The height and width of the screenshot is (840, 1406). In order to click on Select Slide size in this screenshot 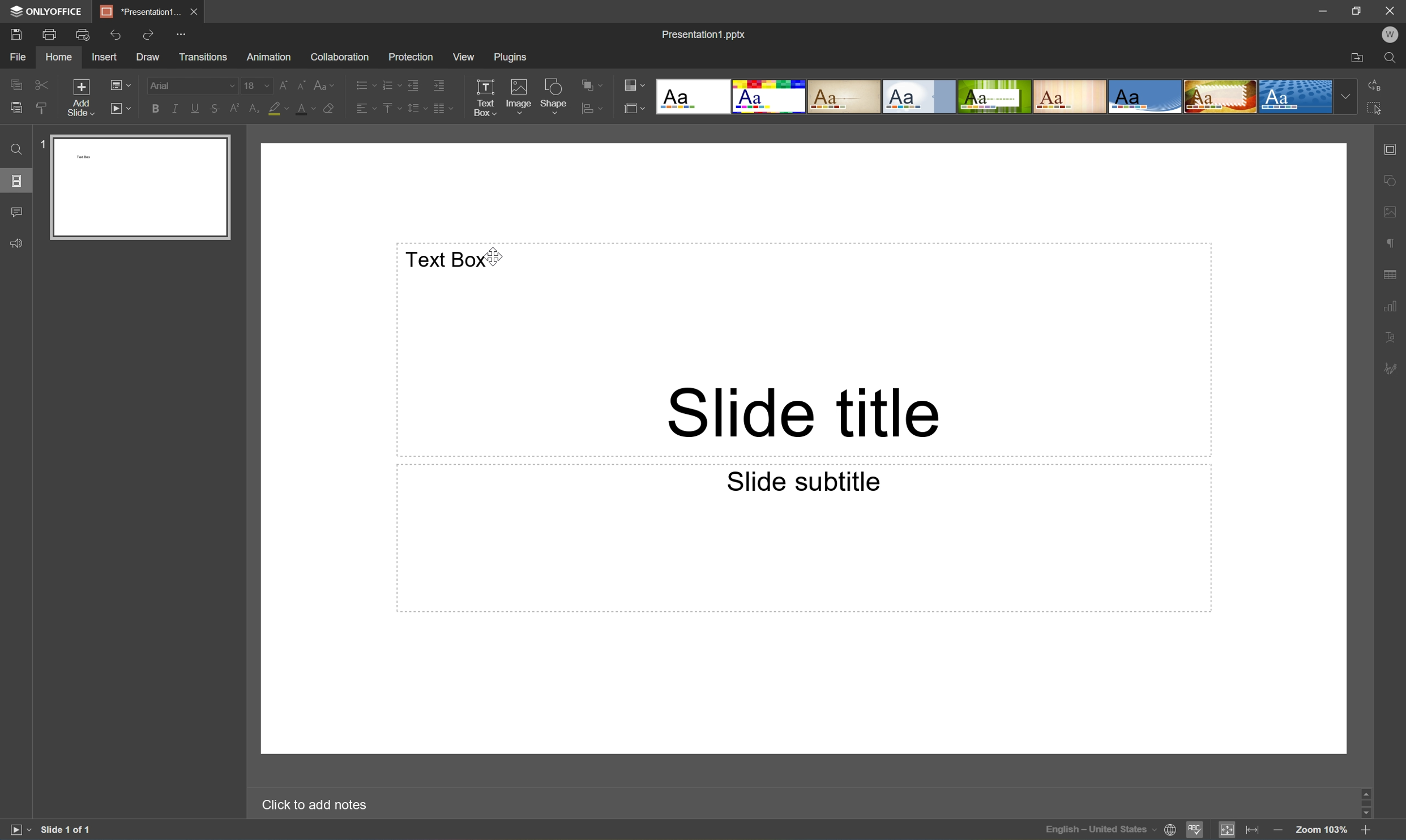, I will do `click(633, 108)`.